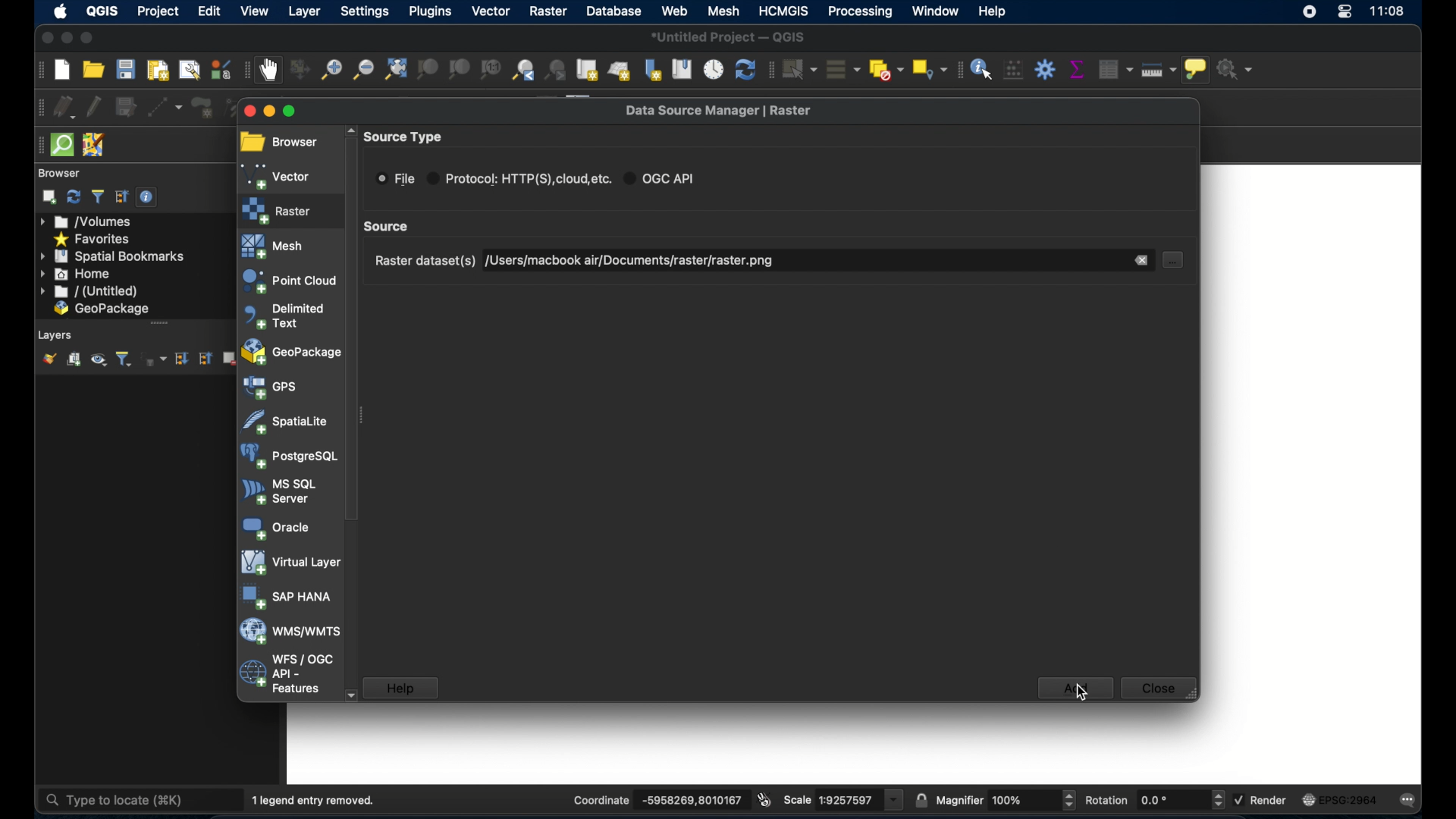 This screenshot has width=1456, height=819. Describe the element at coordinates (124, 359) in the screenshot. I see `filter layer` at that location.